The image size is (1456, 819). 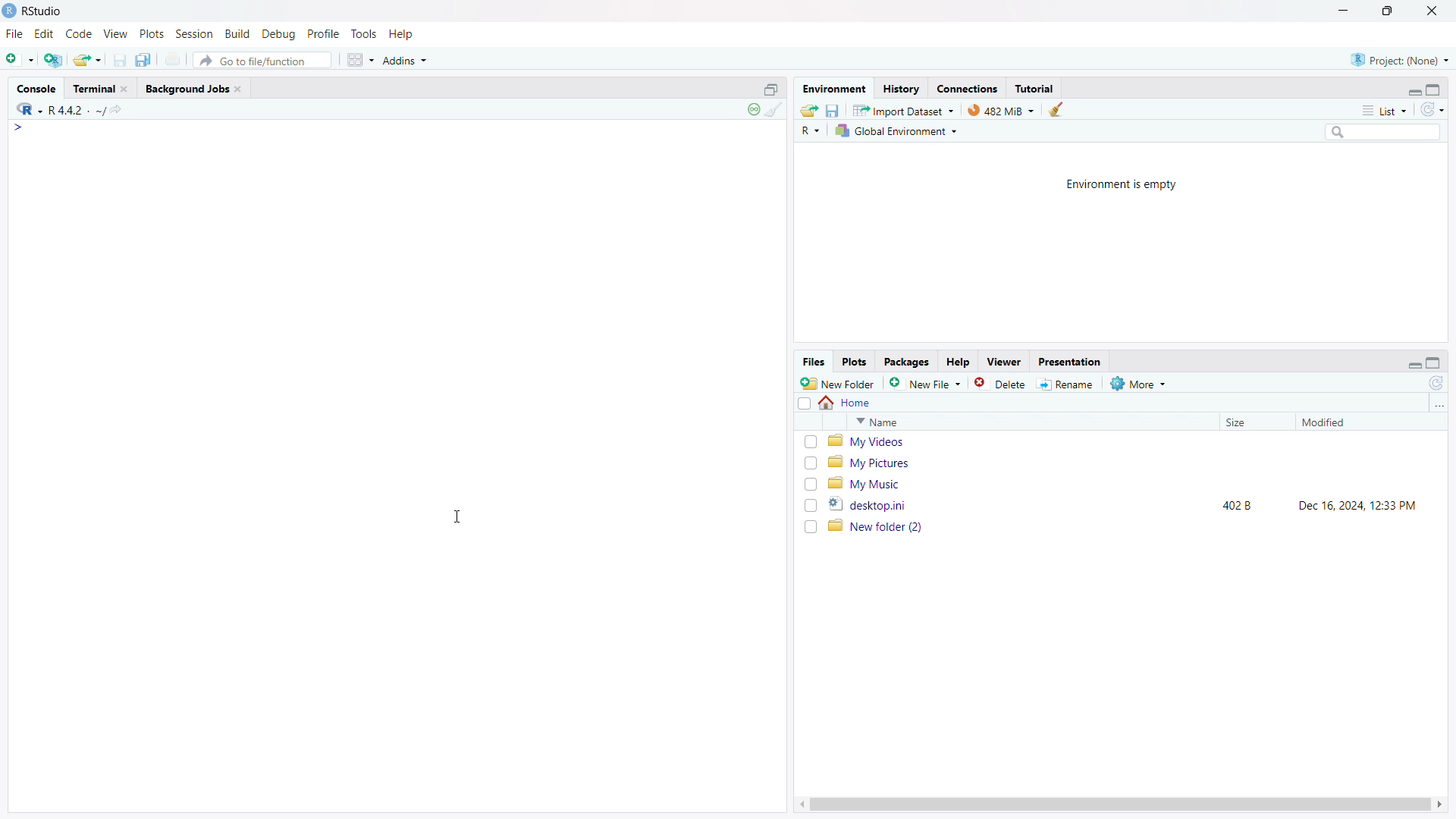 I want to click on close, so click(x=237, y=89).